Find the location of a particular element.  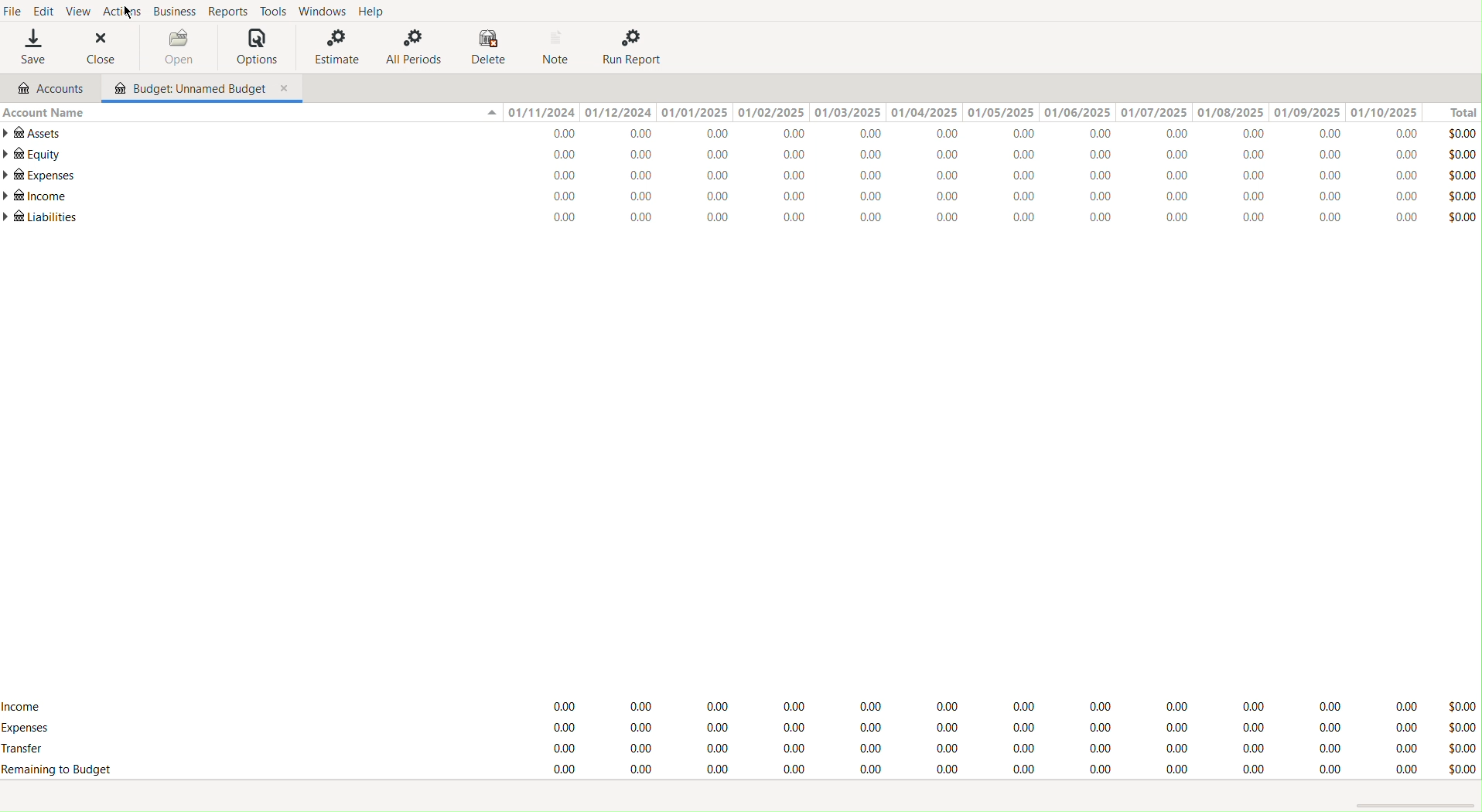

Dates is located at coordinates (964, 112).